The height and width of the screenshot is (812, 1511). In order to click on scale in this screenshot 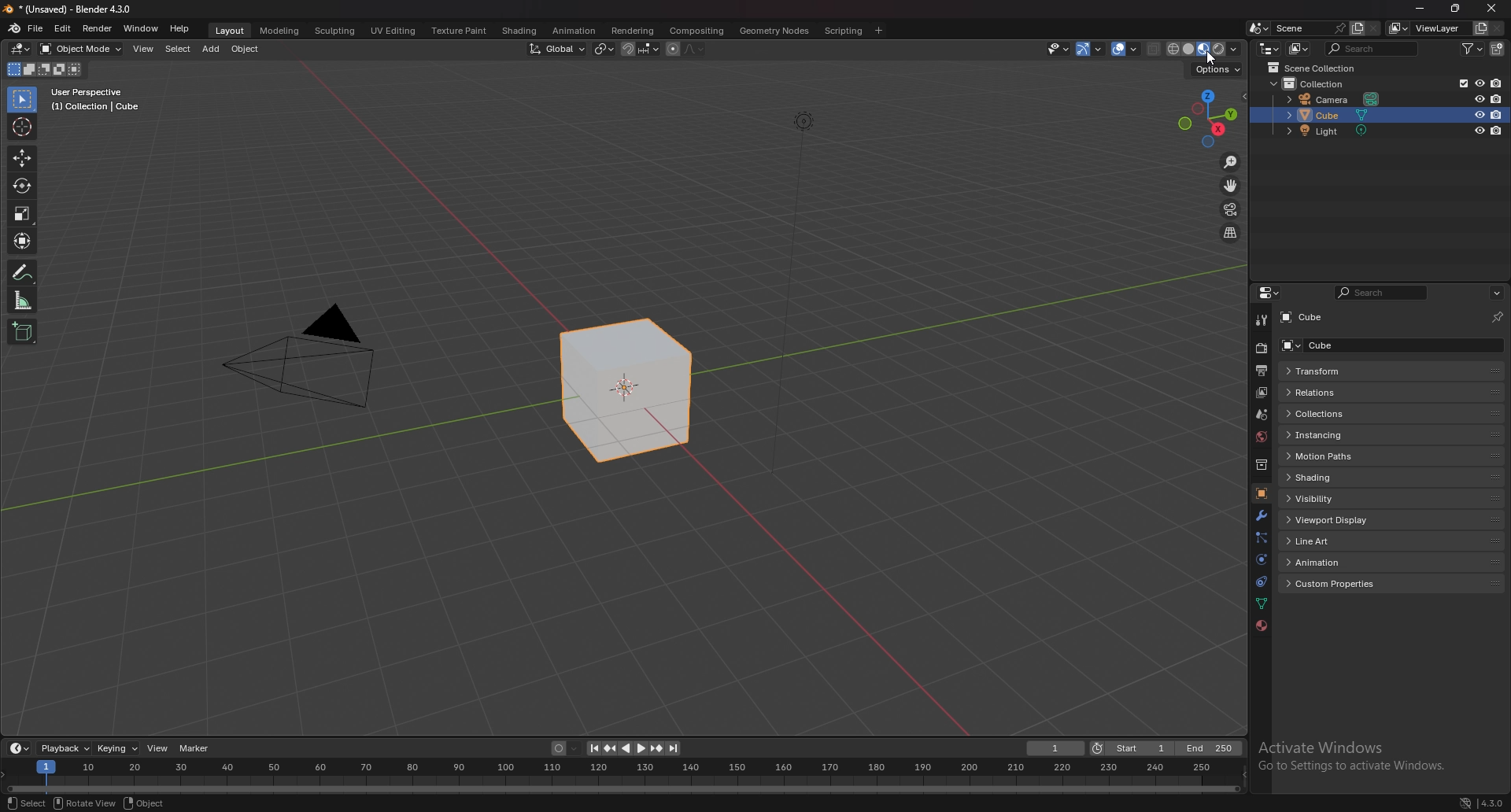, I will do `click(22, 212)`.